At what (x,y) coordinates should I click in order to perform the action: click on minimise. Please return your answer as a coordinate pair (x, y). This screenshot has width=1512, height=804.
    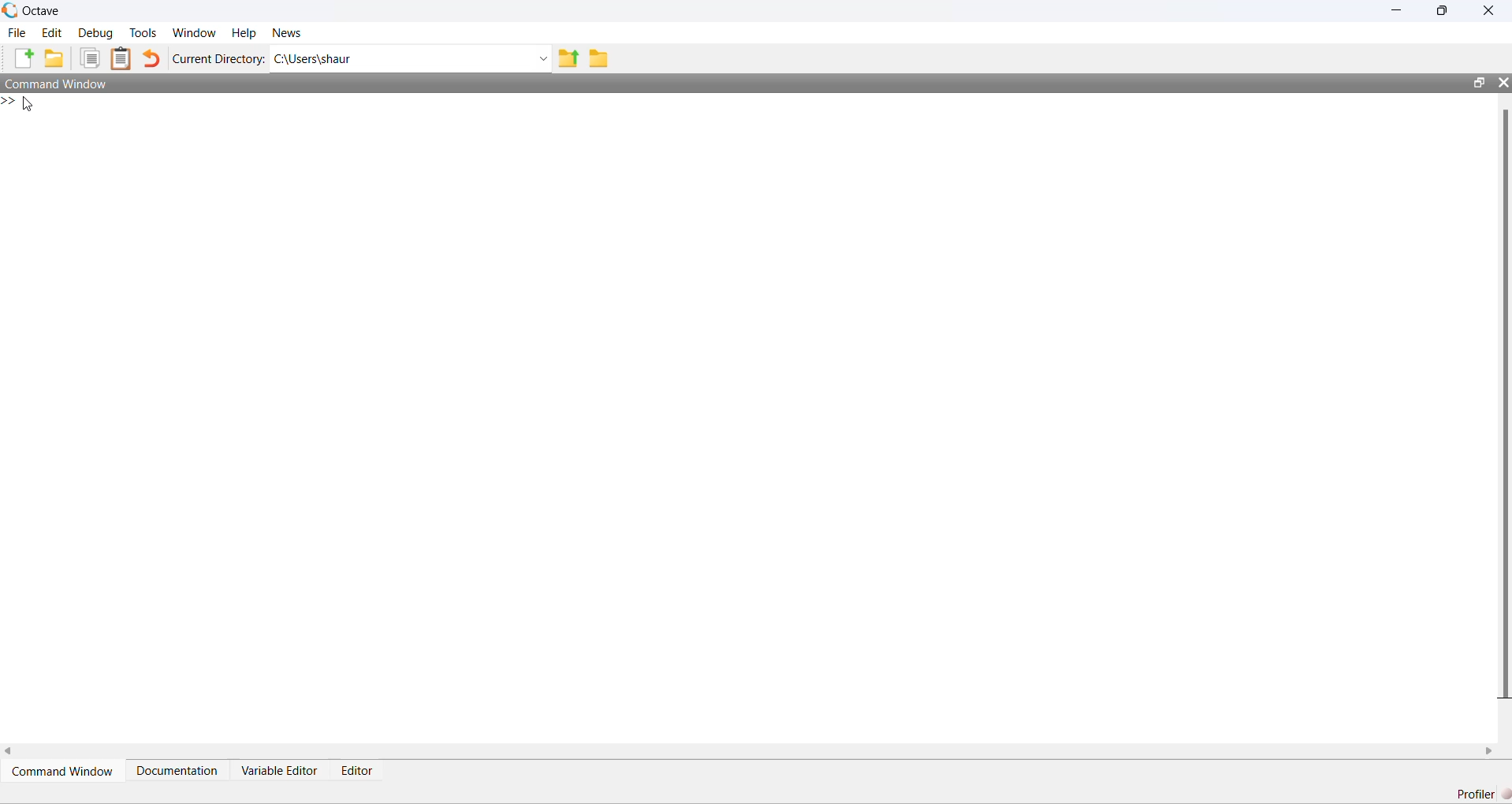
    Looking at the image, I should click on (1397, 9).